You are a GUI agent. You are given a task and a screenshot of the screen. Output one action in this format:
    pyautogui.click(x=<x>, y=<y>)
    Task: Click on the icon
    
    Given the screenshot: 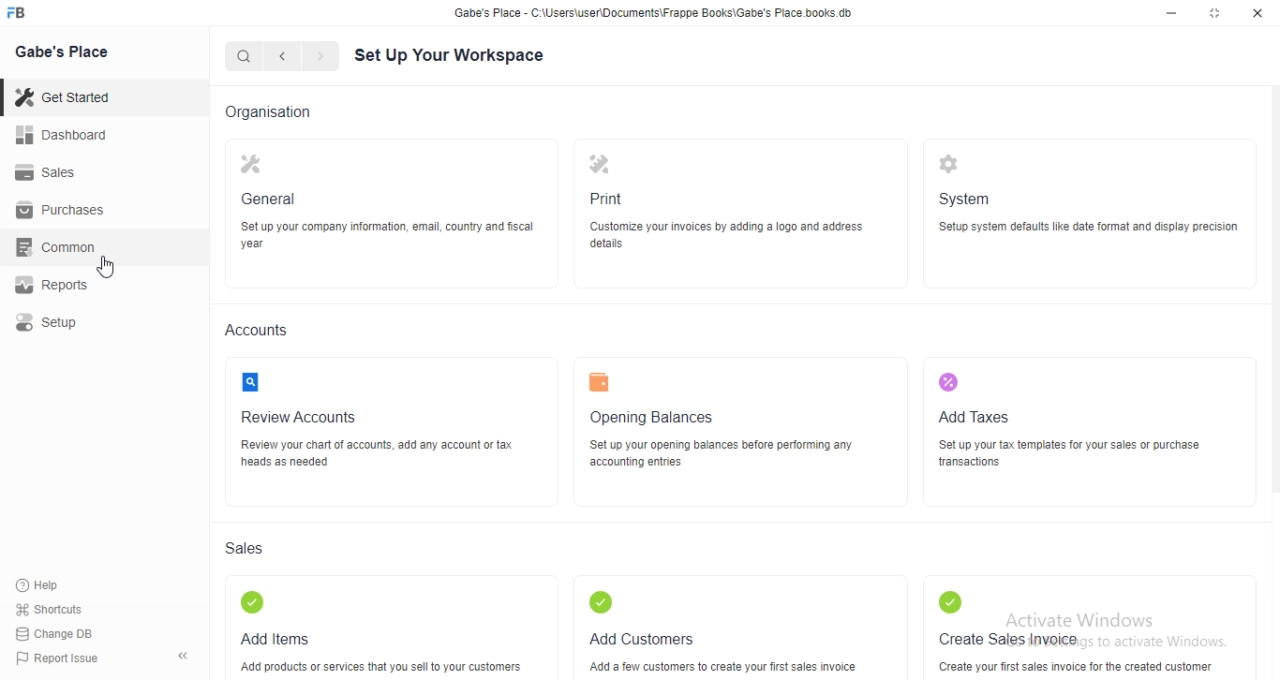 What is the action you would take?
    pyautogui.click(x=602, y=164)
    